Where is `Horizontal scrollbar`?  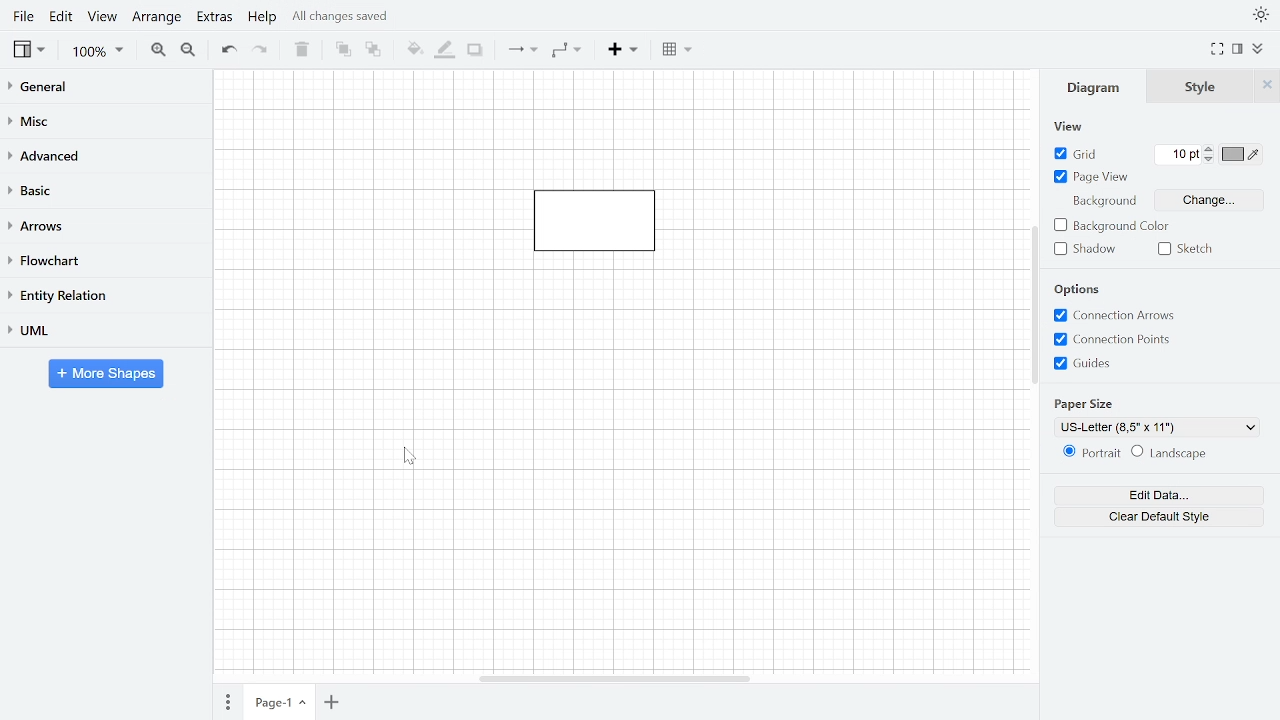
Horizontal scrollbar is located at coordinates (615, 681).